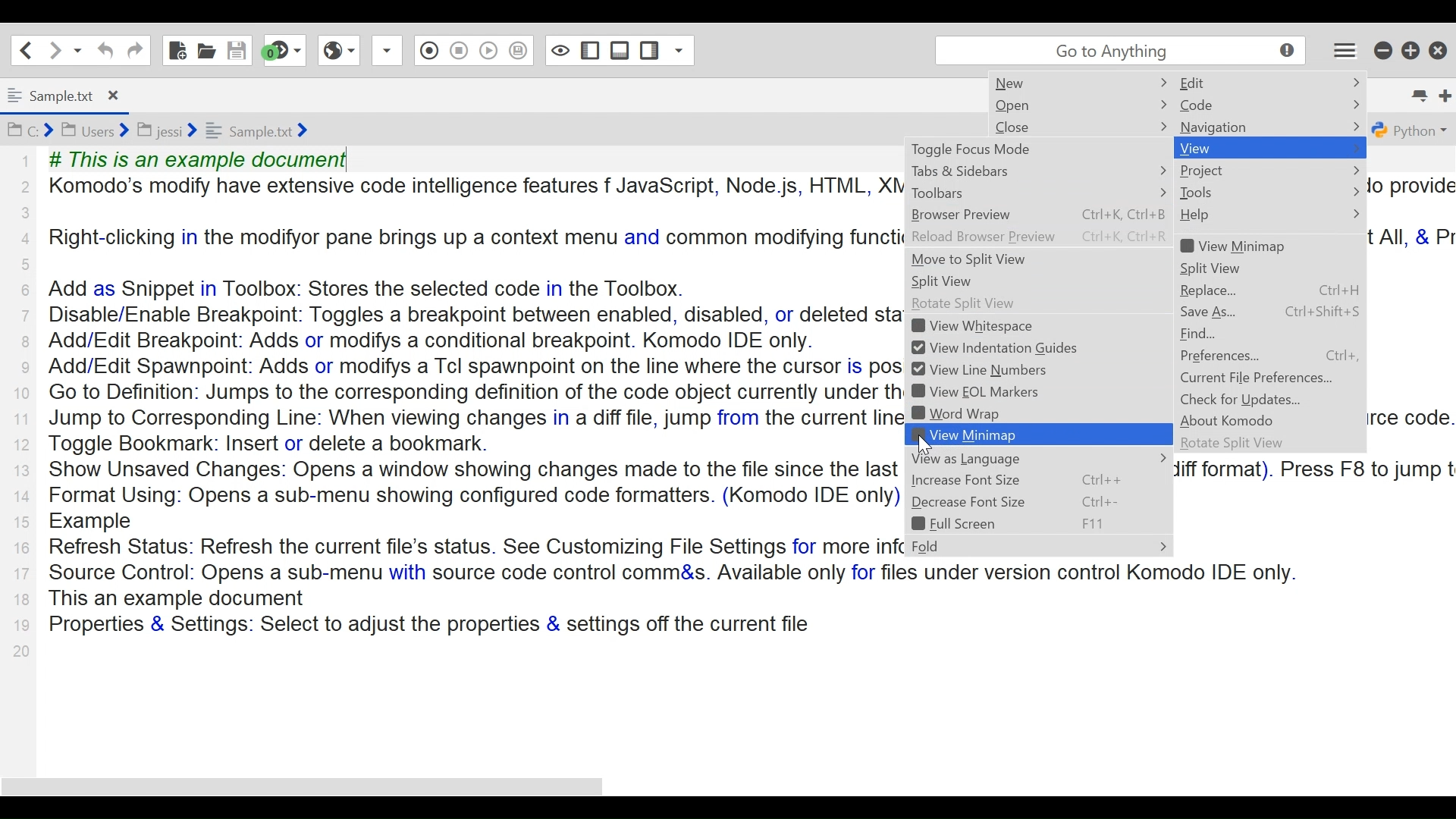  What do you see at coordinates (464, 391) in the screenshot?
I see `# This is an example document

Komodo’s modify have extensive code intelligence features f JavaScript, Node js, HTML, XML, XSLT, Perl, PHP, Python, Ruby, & Tcl. Komodo provi
Right-clicking in the modifyor pane brings up a context menu and common modifying functions. In addition to st&ard Cut, Copy, Paste, Select All, &
Add as Snippet in Toolbox: Stores the selected code in the Toolbox.

Disable/Enable Breakpoint: Toggles a breakpoint between enabled, disabled, or deleted states. Komodo IDE only.

Add/Edit Breakpoint: Adds or modifys a conditional breakpoint. Komodo IDE only.

Add/Edit Spawnpoint: Adds or modifys a Tcl spawnpoint on the line where the cursor is positioned Komodo IDE only.

Go to Definition: Jumps to the corresponding definition of the code object currently under the cursor. See Go to Definition.

Jump to Corresponding Line: When viewing changes in a diff file, jump from the current line in the diff to the corresponding line in the the source cod
Toggle Bookmark: Insert or delete a bookmark.

Show Unsaved Changes: Opens a window showing changes made to the file since the last time it was saved (in unified diff format). Press F8 to jump
Format Using: Opens a sub-menu showing configured code formatters. (Komodo IDE only)

Example

Refresh Status: Refresh the current file's status. See Customizing File Settings for more information.

Source Control: Opens a sub-menu with source code control comm&s. Available only for files under version control Komodo IDE only.

This an example document

Properties & Settings: Select to adjust the properties & settings off the current file` at bounding box center [464, 391].